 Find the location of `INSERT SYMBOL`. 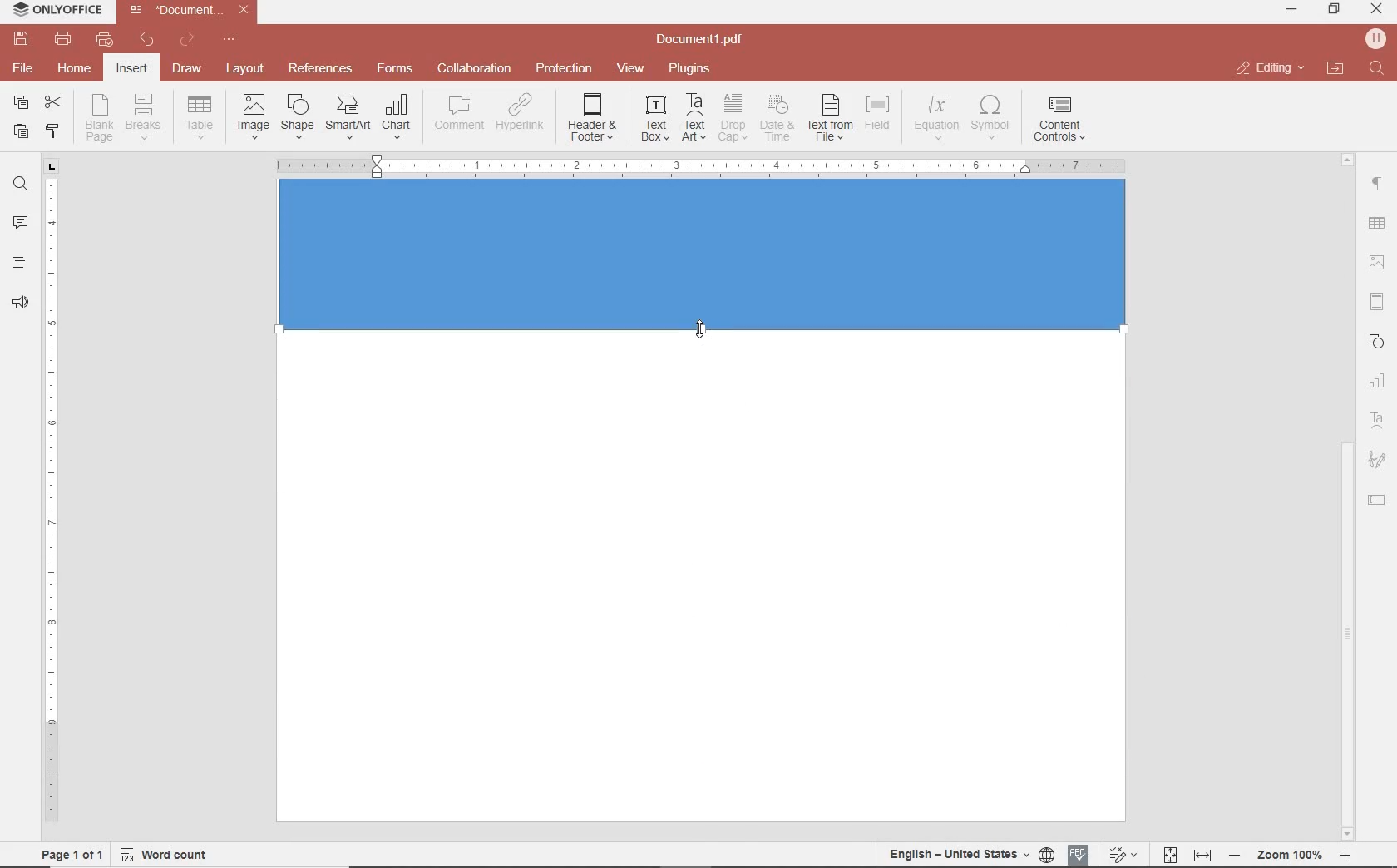

INSERT SYMBOL is located at coordinates (990, 116).